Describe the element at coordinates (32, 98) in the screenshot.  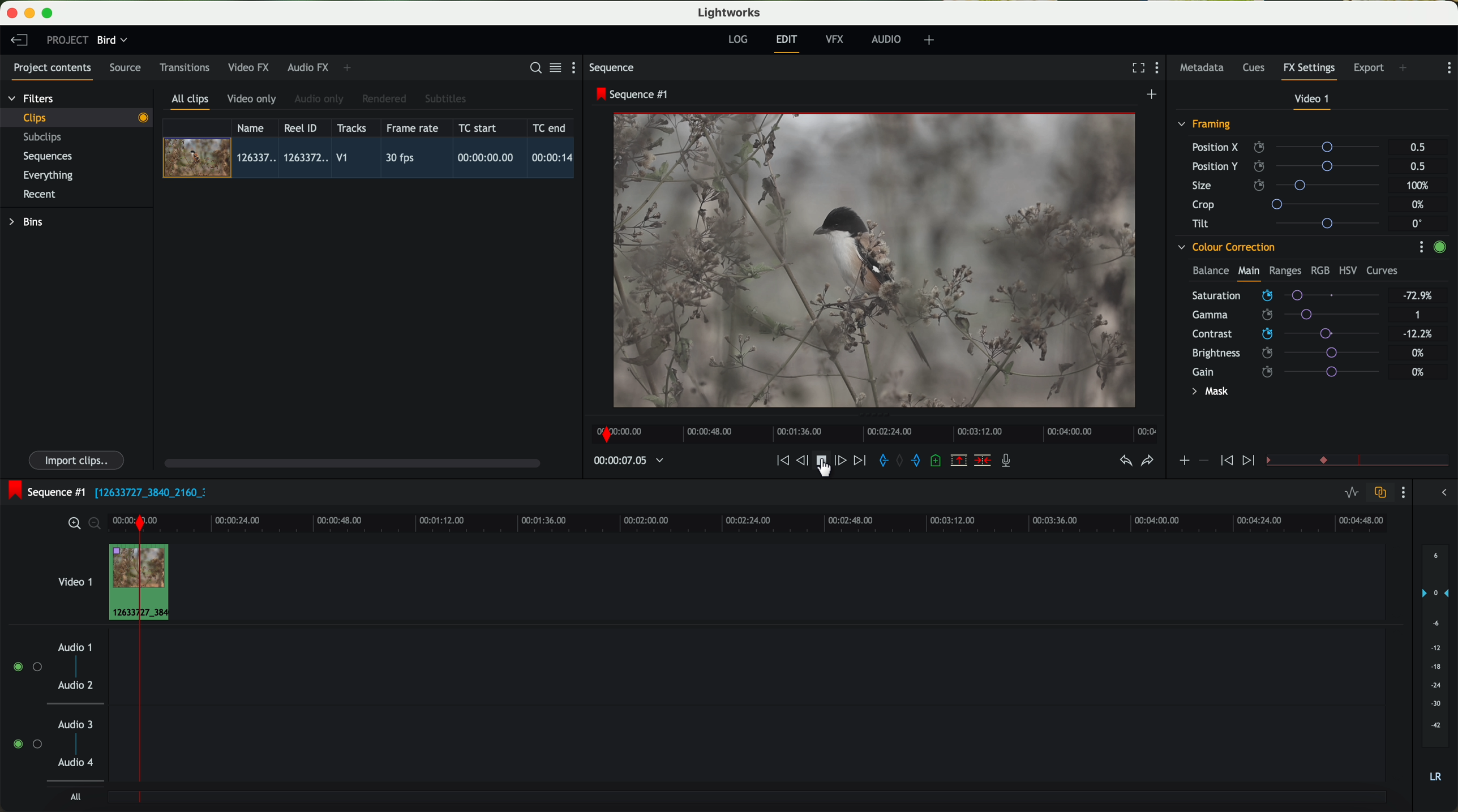
I see `filters` at that location.